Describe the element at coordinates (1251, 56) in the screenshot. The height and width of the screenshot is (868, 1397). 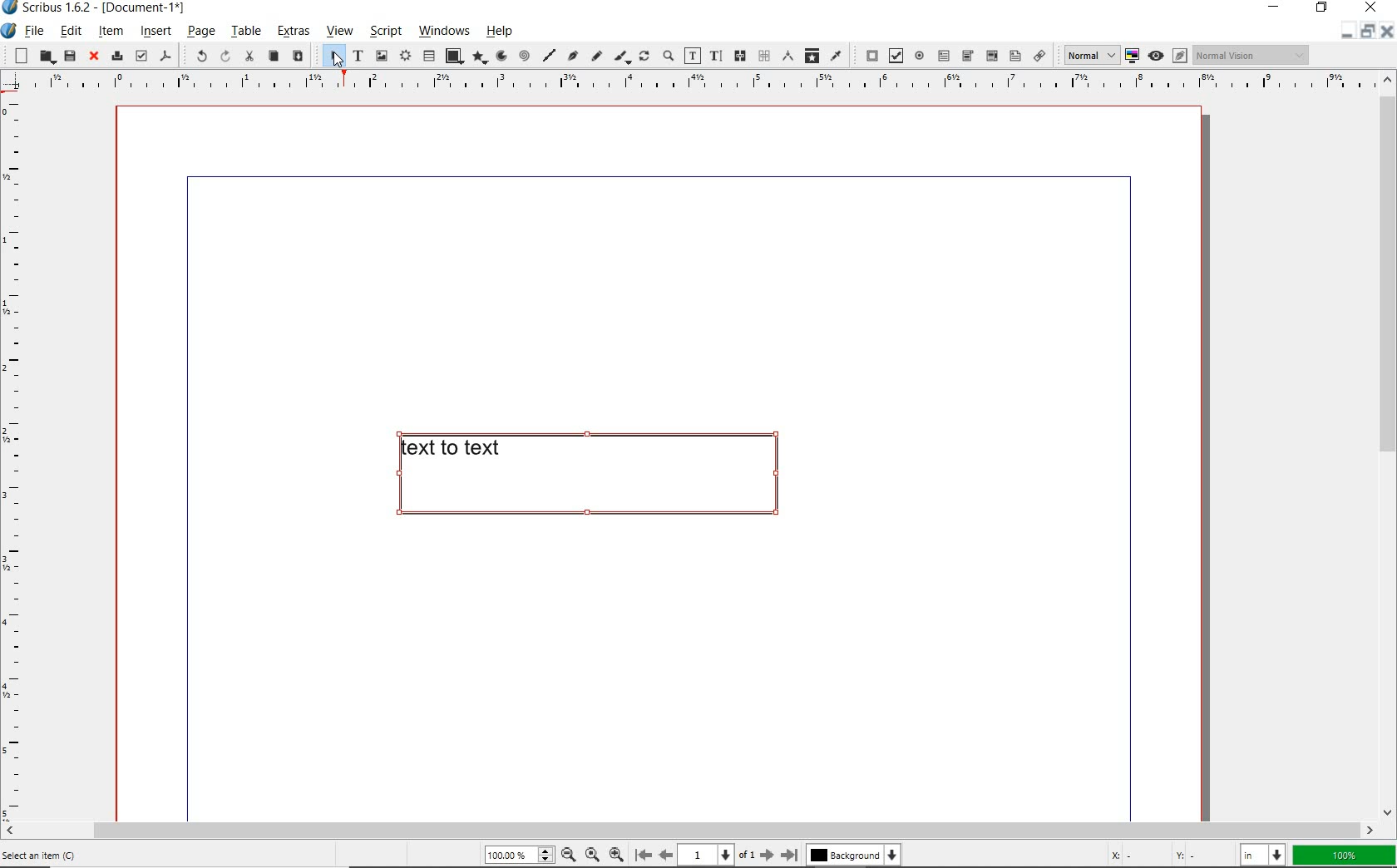
I see `Normal vision` at that location.